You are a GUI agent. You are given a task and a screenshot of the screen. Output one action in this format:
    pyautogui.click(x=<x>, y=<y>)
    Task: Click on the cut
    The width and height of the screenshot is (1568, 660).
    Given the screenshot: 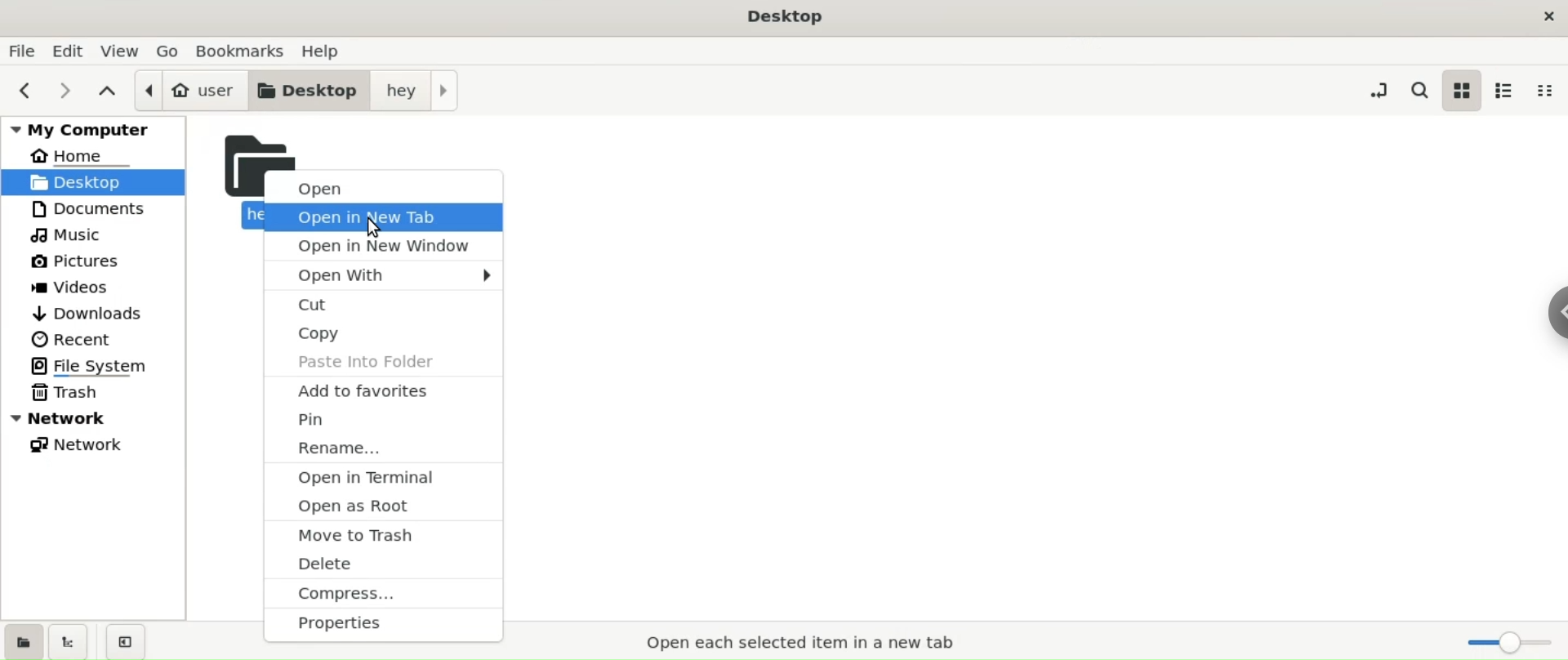 What is the action you would take?
    pyautogui.click(x=385, y=302)
    